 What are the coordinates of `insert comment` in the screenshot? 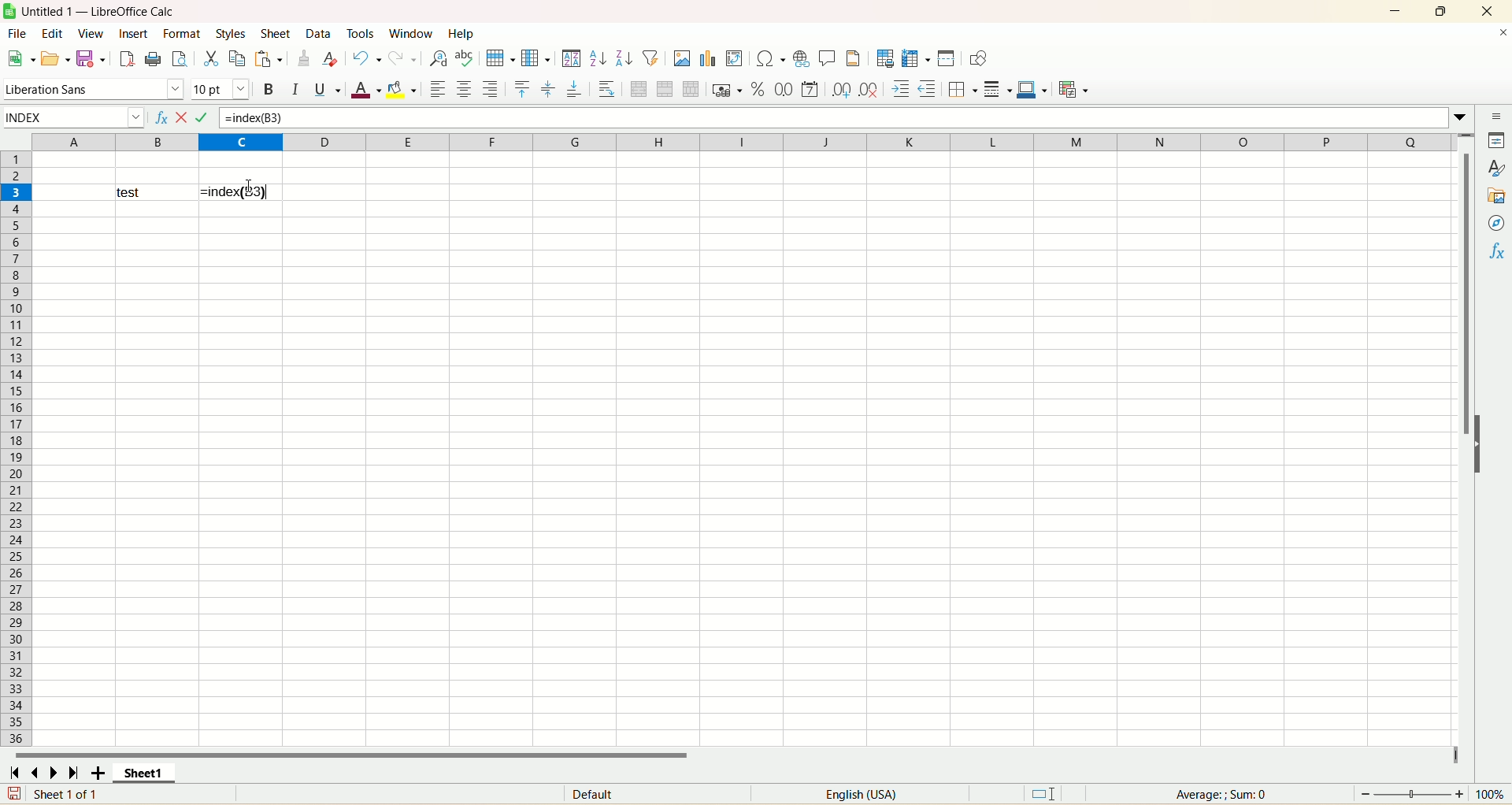 It's located at (828, 58).